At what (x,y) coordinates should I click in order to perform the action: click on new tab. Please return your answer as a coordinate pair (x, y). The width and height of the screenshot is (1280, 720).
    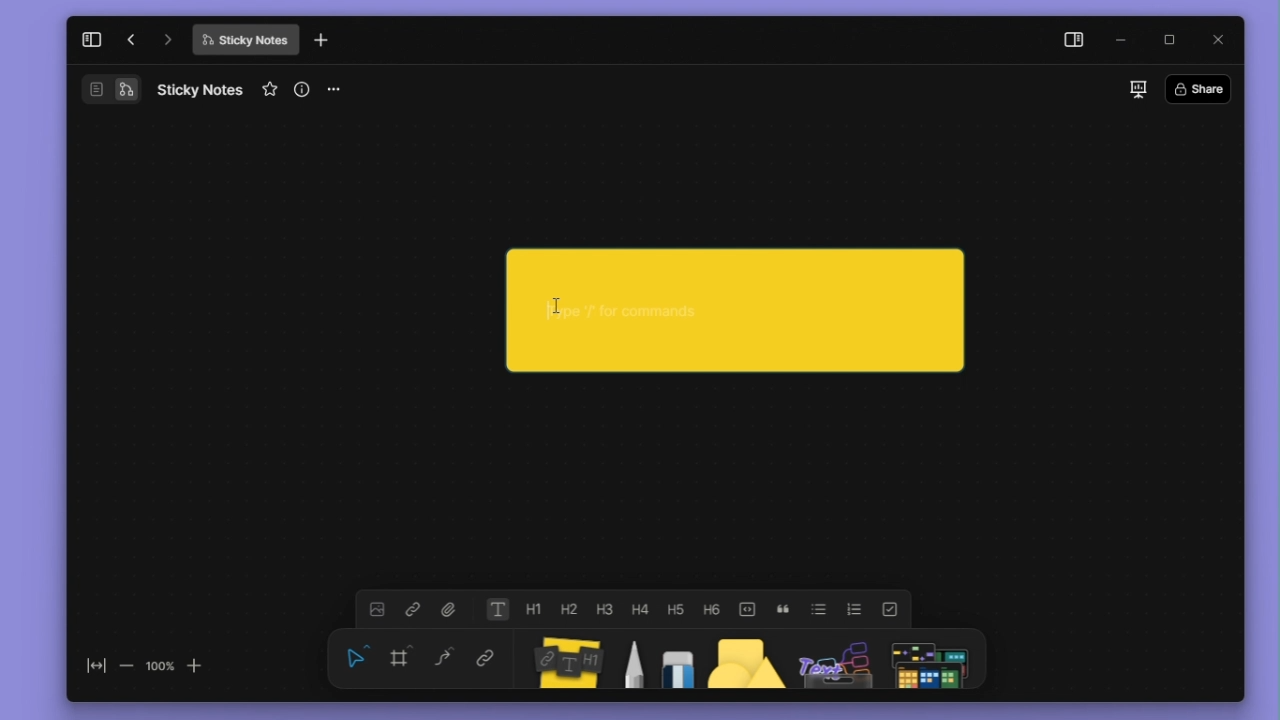
    Looking at the image, I should click on (330, 43).